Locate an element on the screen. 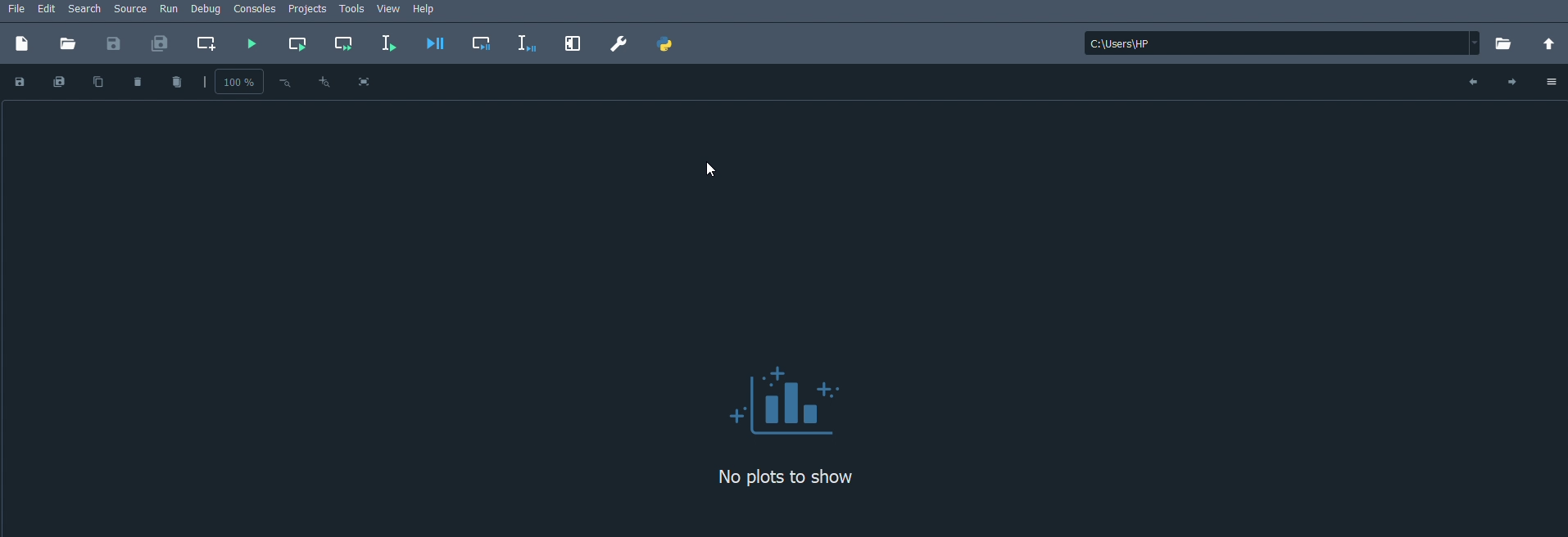  Save file is located at coordinates (113, 43).